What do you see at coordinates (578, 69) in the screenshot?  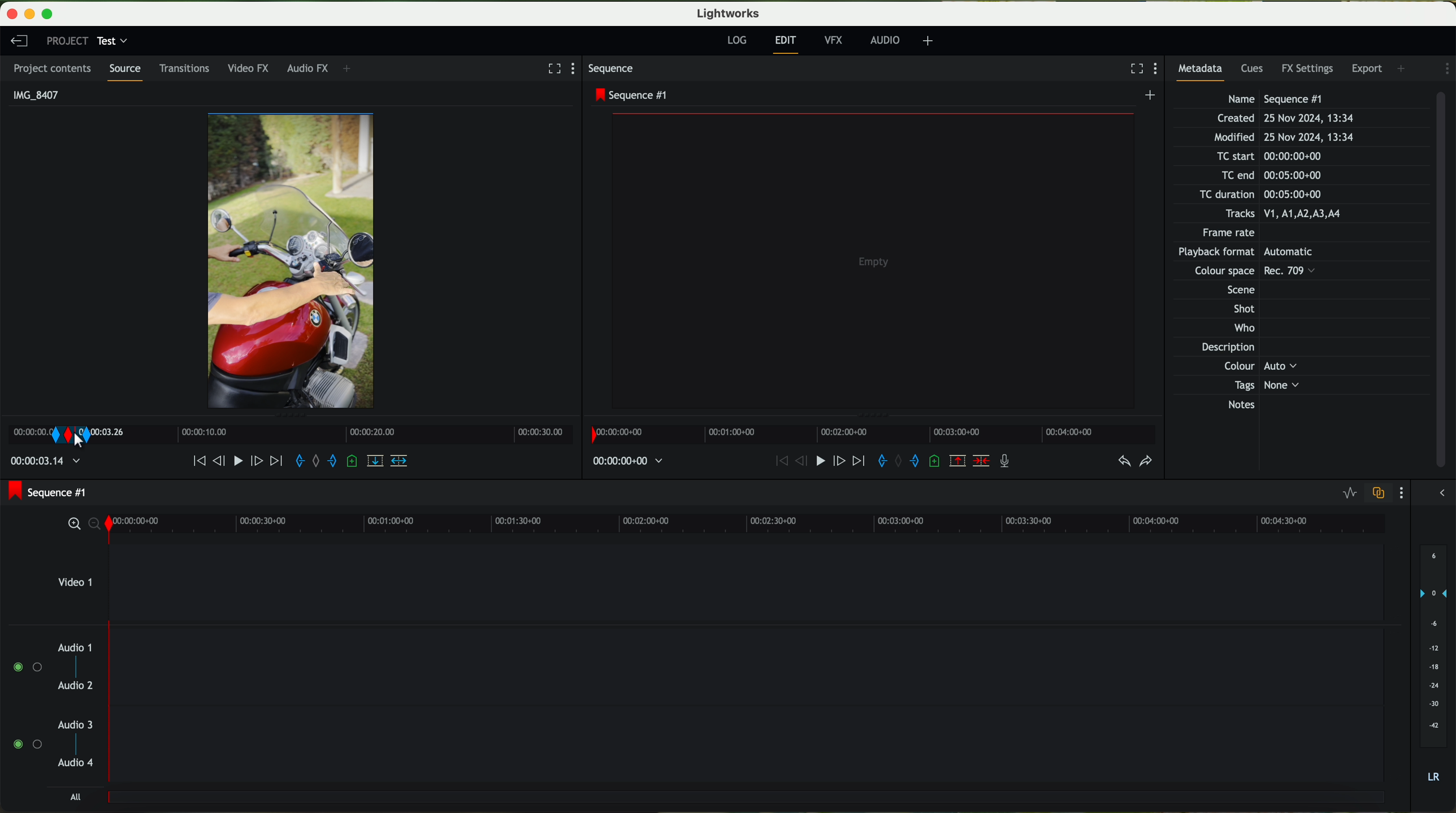 I see `show settings menu` at bounding box center [578, 69].